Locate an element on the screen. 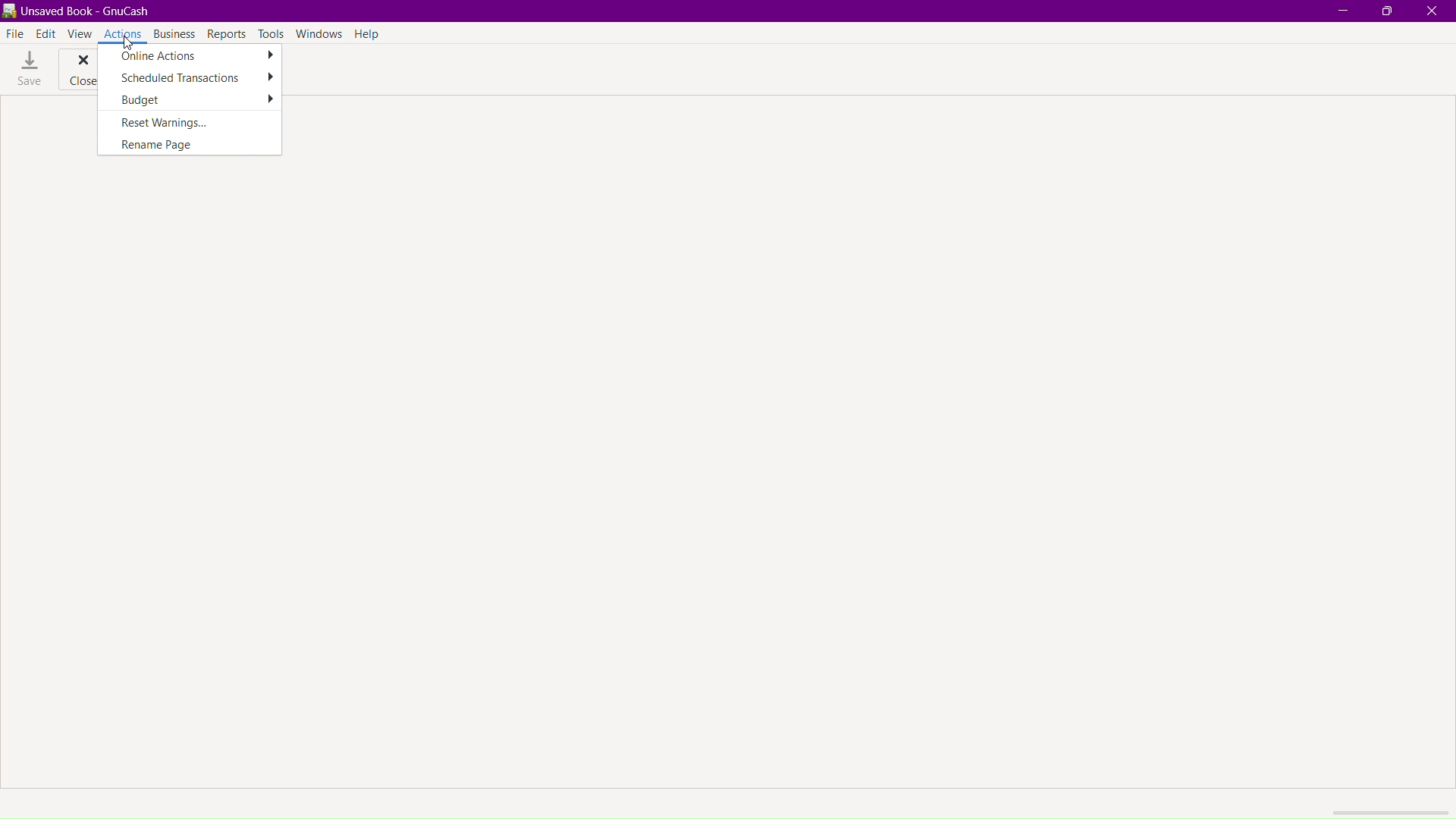  Business is located at coordinates (174, 32).